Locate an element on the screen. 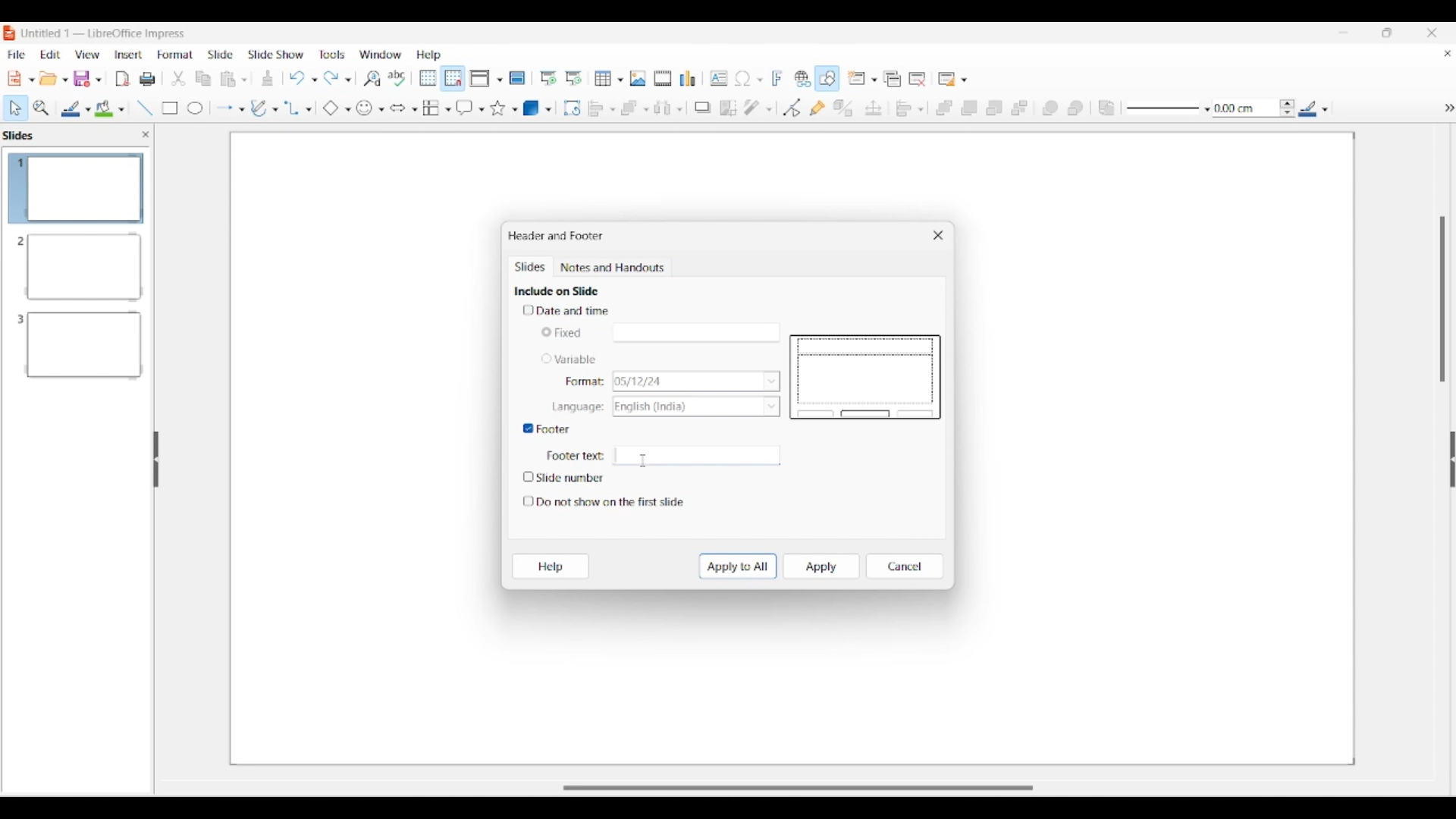 The height and width of the screenshot is (819, 1456). Tools menu is located at coordinates (332, 55).